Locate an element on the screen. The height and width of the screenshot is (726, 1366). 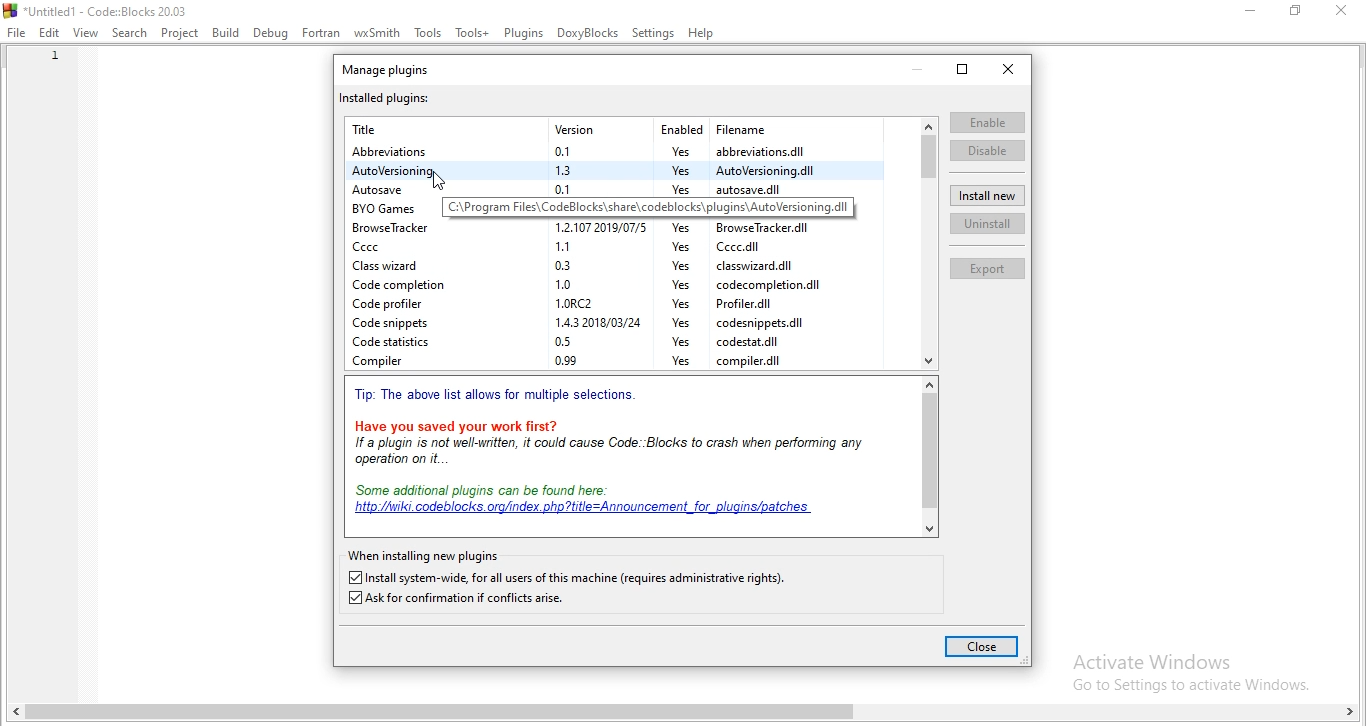
Tip: The above list allows for multiple selections. is located at coordinates (498, 395).